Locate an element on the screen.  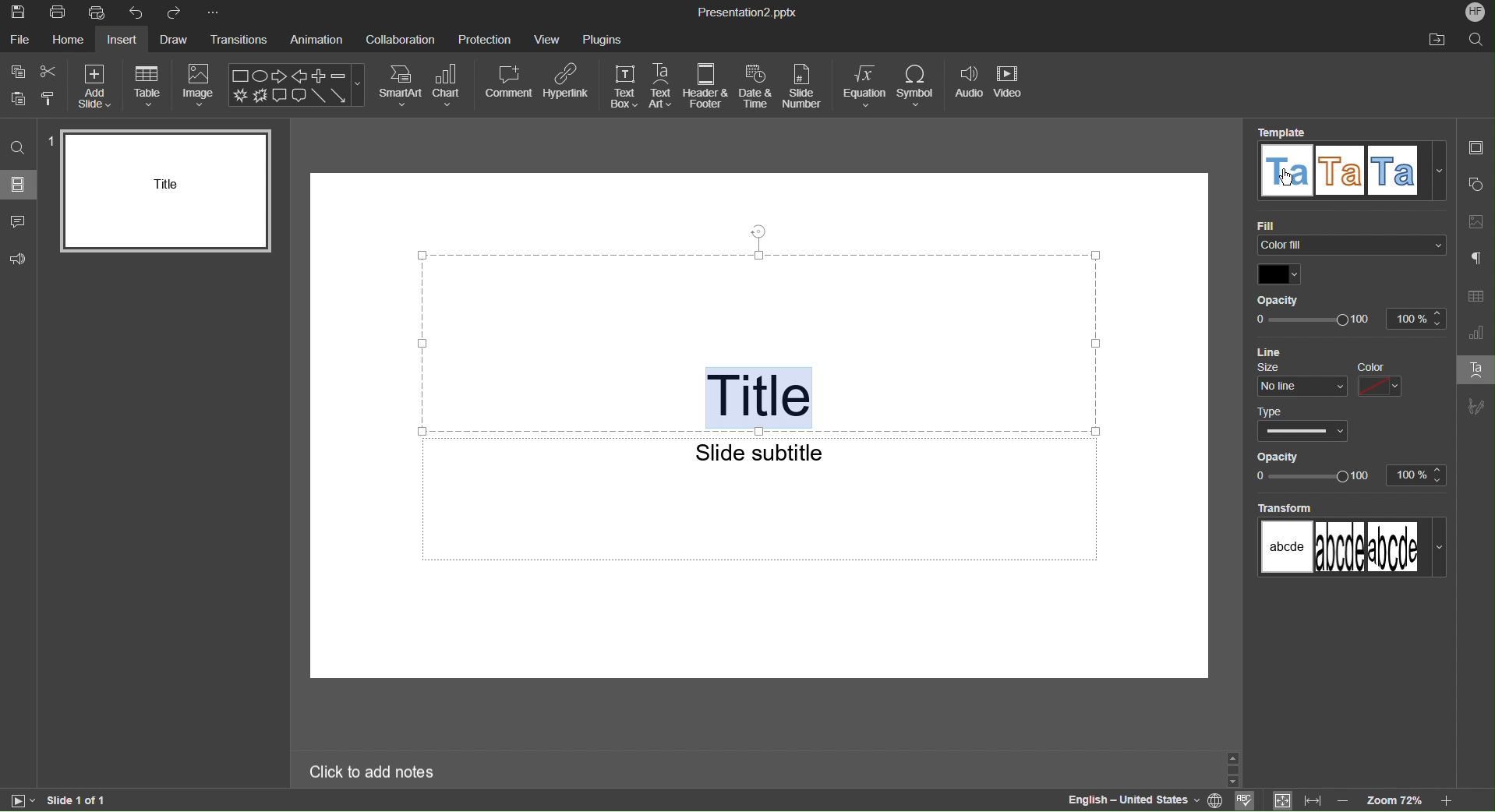
Symbol is located at coordinates (917, 86).